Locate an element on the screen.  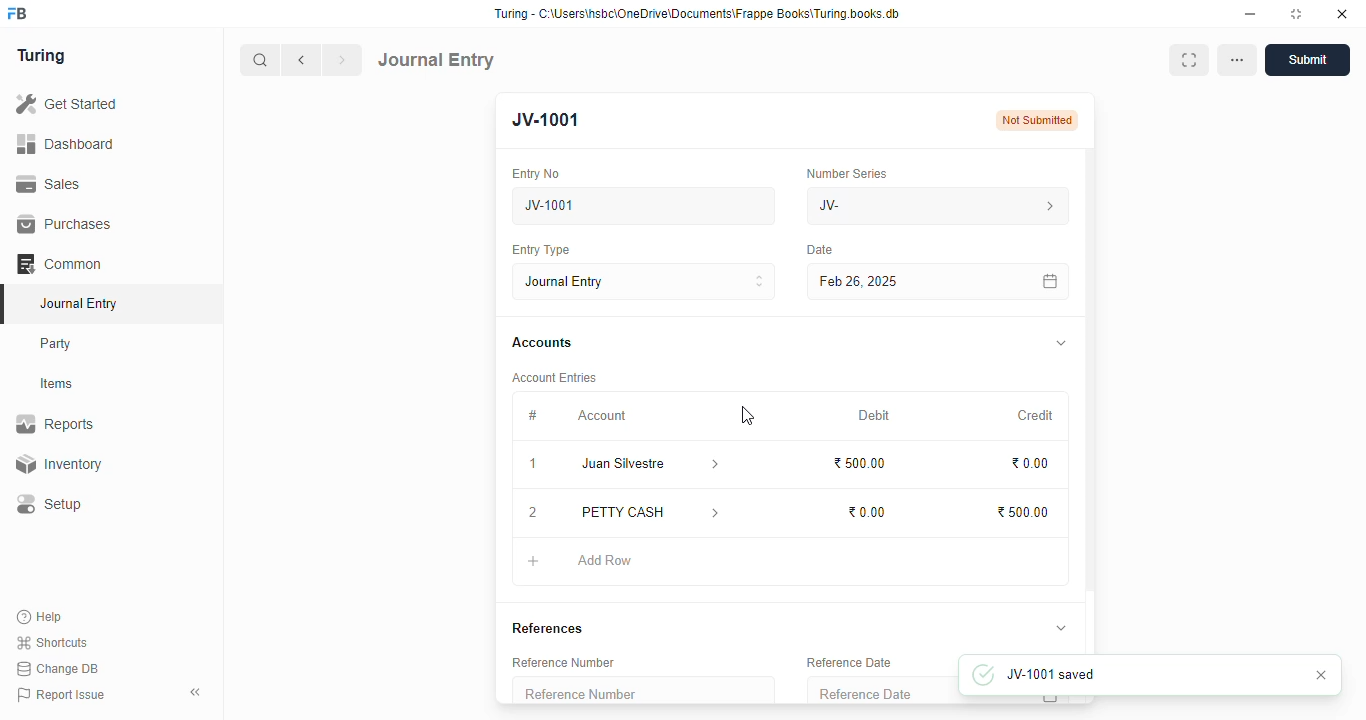
Date is located at coordinates (821, 250).